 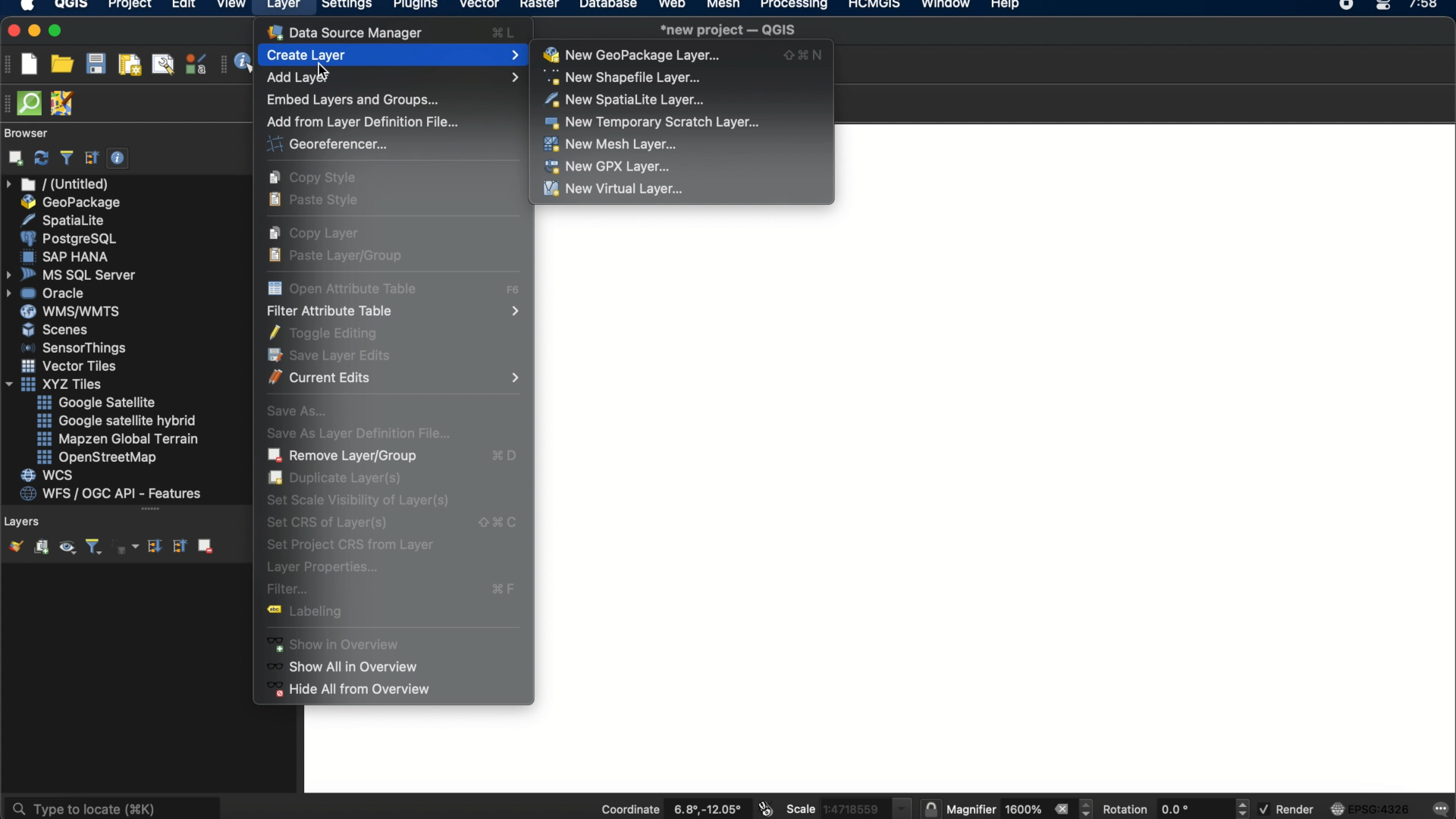 I want to click on control center macOS, so click(x=1382, y=7).